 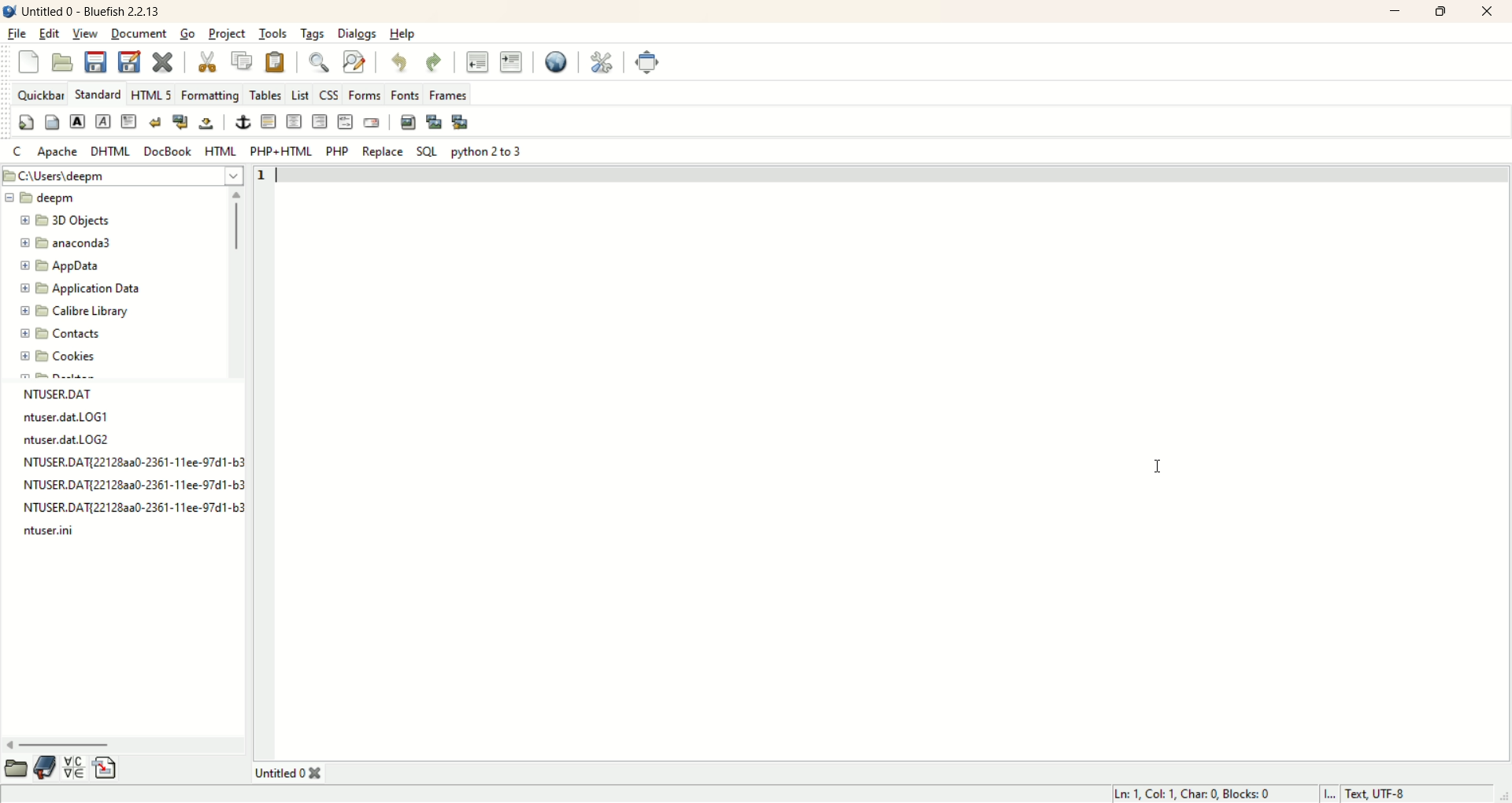 I want to click on insert image, so click(x=407, y=120).